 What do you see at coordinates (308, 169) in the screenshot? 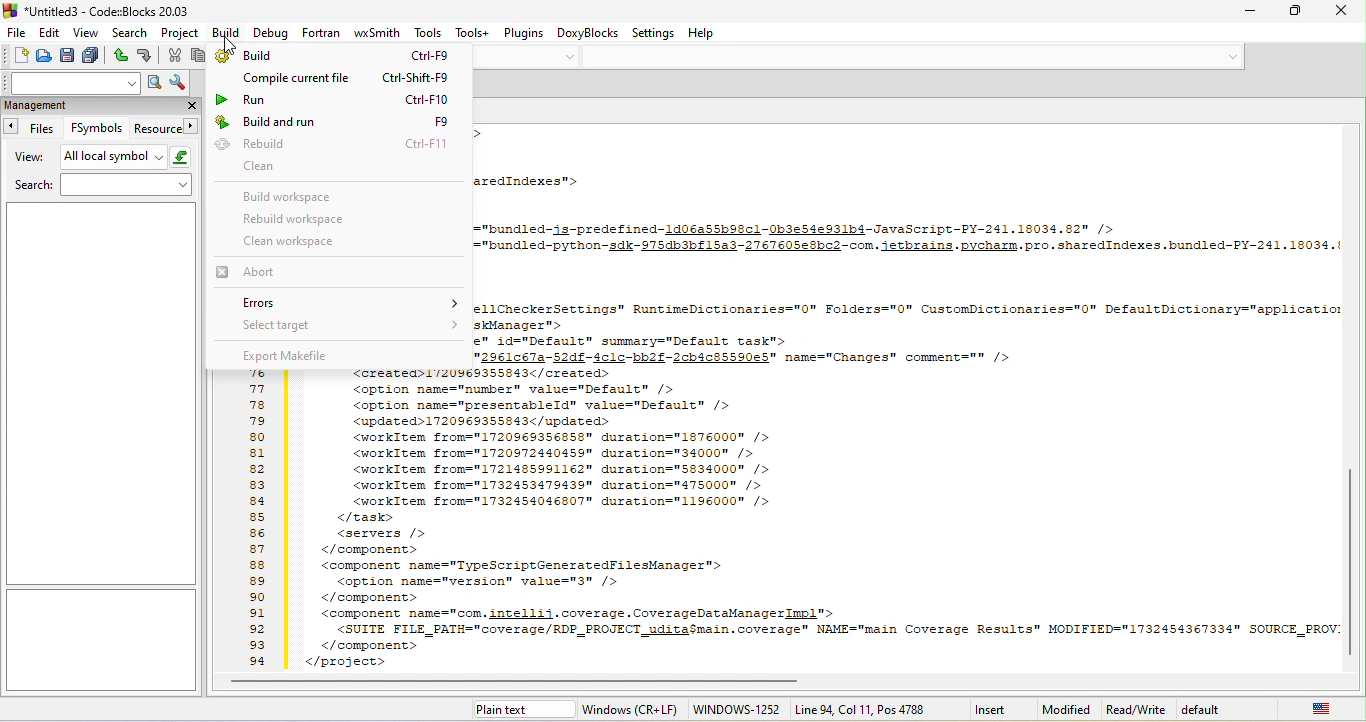
I see `clean` at bounding box center [308, 169].